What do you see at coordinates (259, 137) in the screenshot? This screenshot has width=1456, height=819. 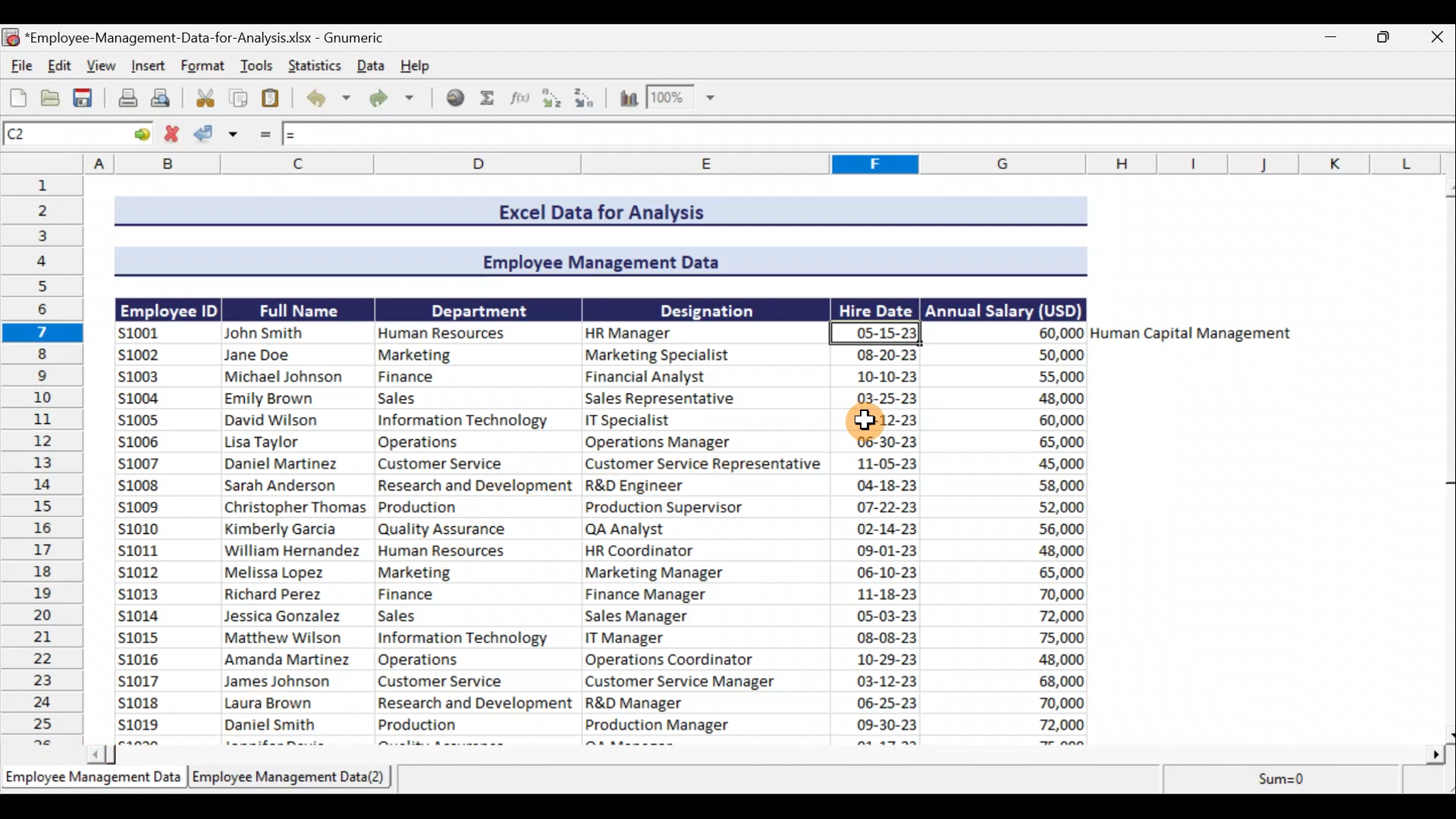 I see `Enter formula` at bounding box center [259, 137].